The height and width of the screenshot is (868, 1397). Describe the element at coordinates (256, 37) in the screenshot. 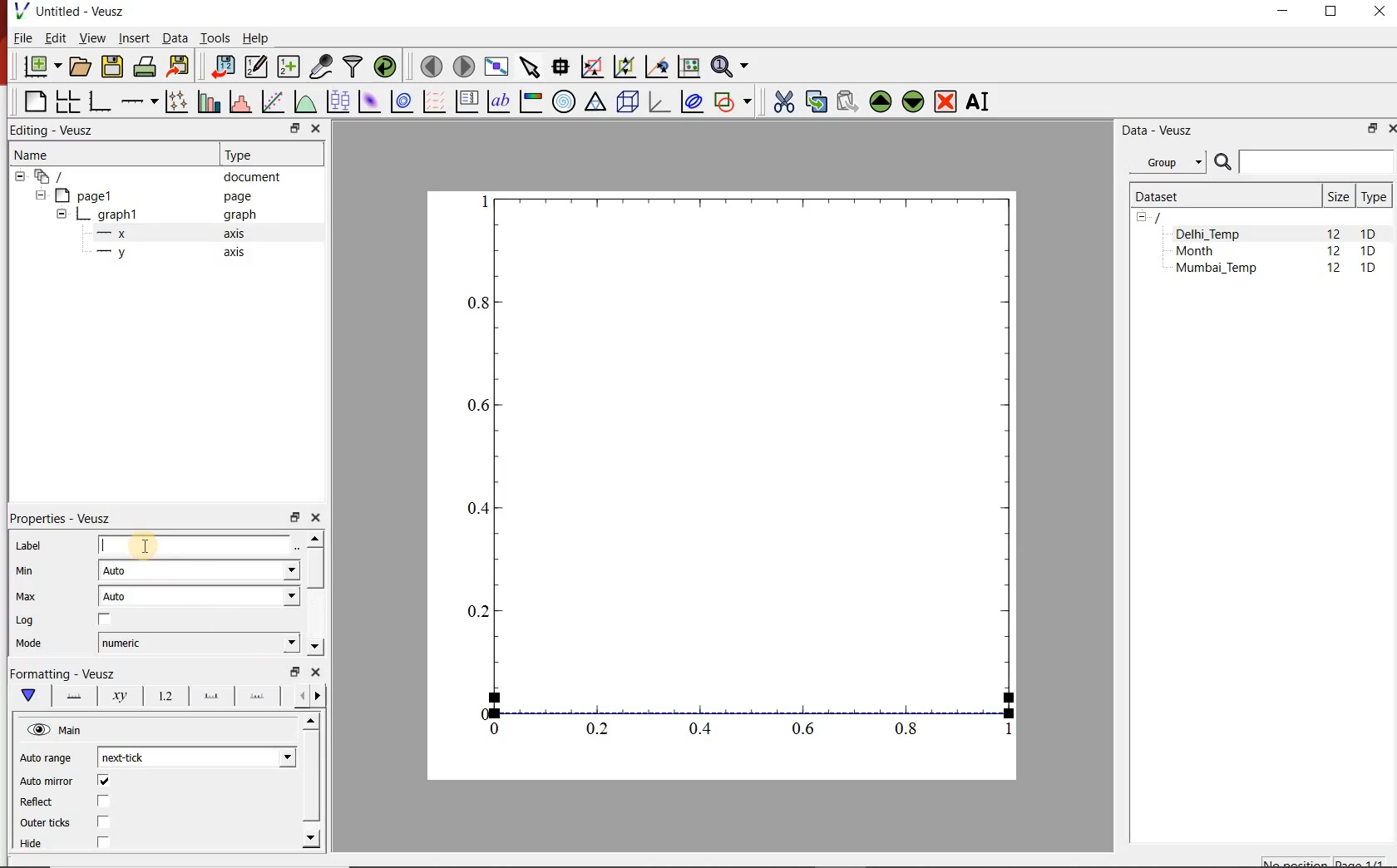

I see `Help` at that location.